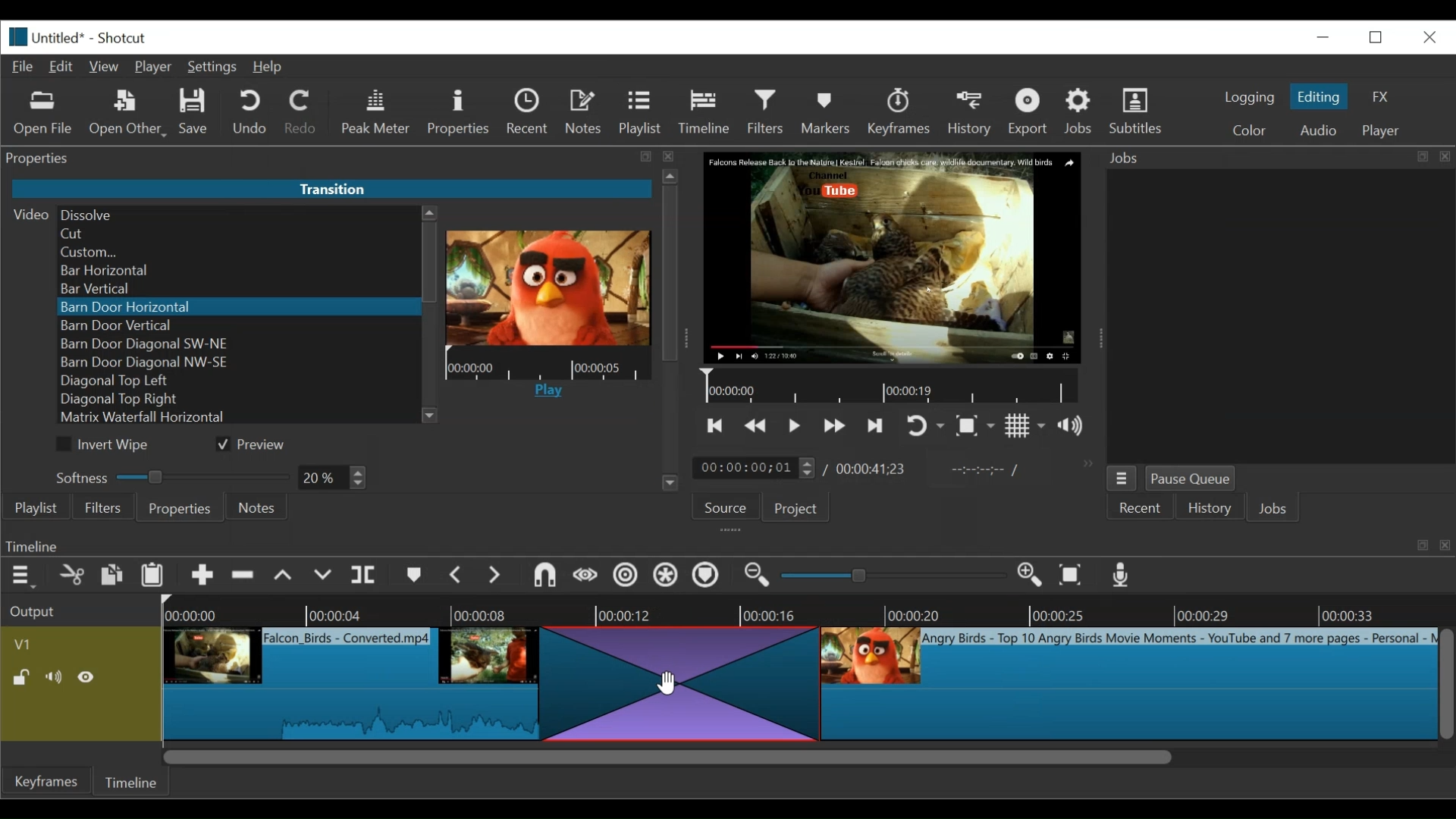  Describe the element at coordinates (1025, 426) in the screenshot. I see `Toggle display grid on player` at that location.